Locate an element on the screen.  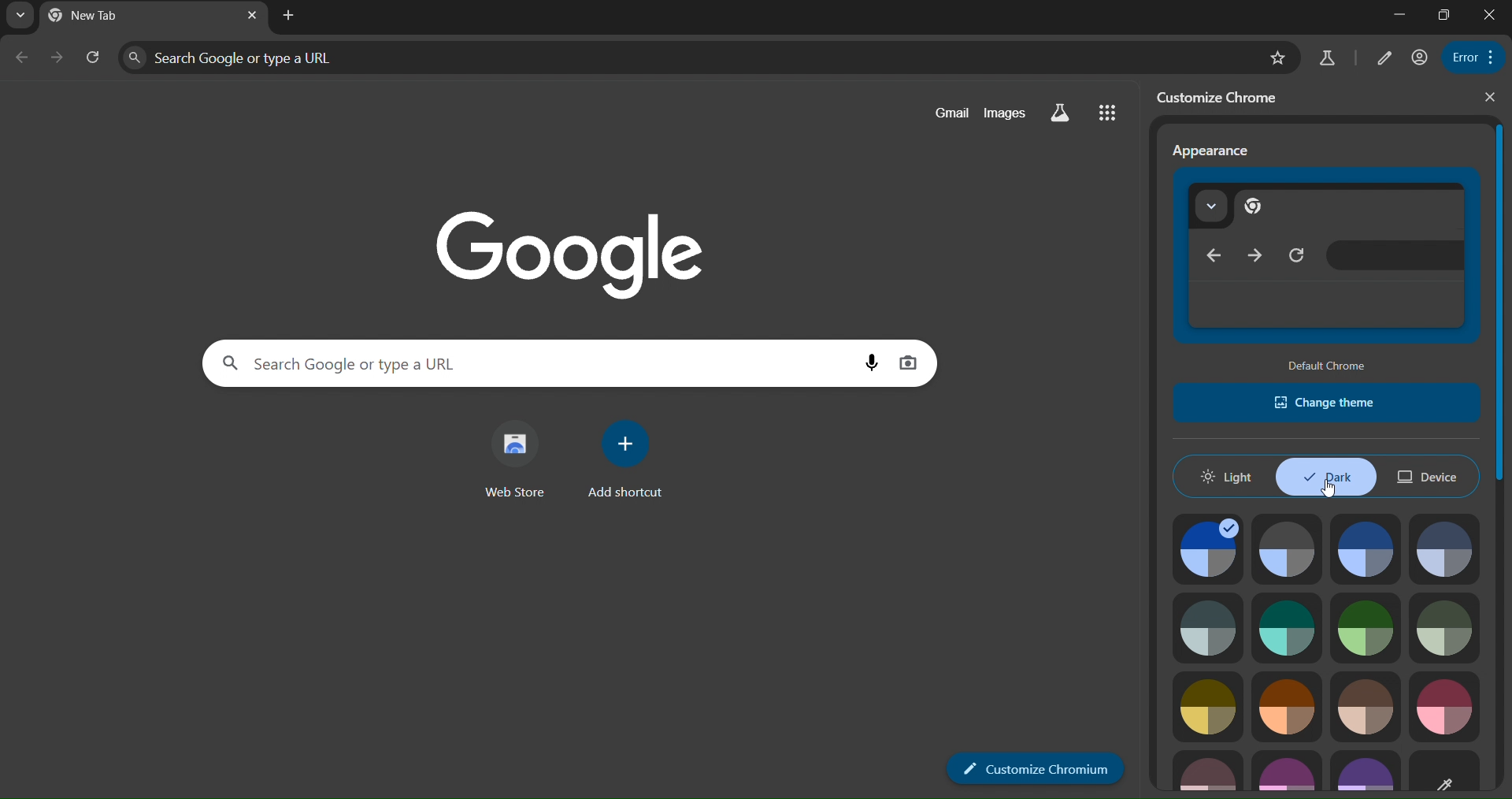
cursor is located at coordinates (1331, 492).